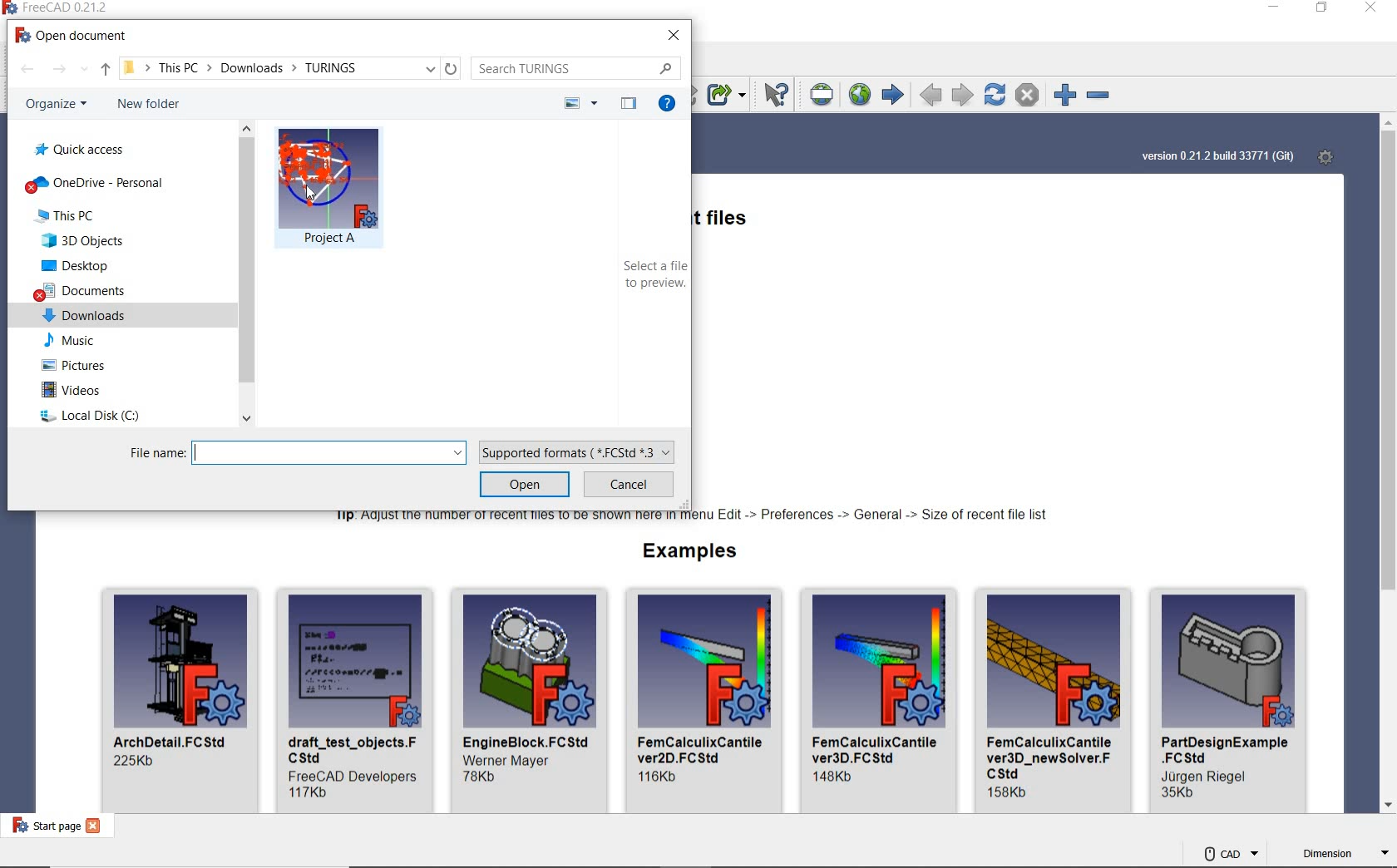 The image size is (1397, 868). Describe the element at coordinates (1179, 795) in the screenshot. I see `size` at that location.